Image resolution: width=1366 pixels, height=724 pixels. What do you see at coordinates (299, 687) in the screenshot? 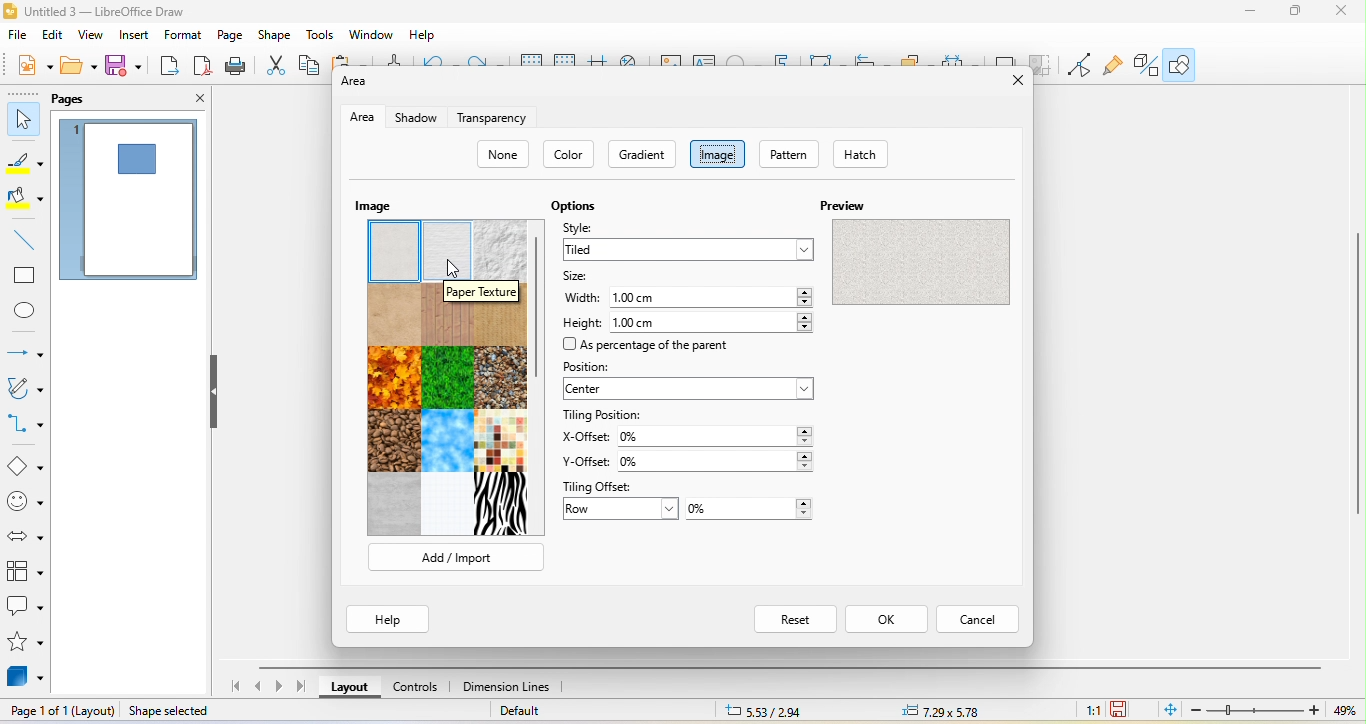
I see `last page` at bounding box center [299, 687].